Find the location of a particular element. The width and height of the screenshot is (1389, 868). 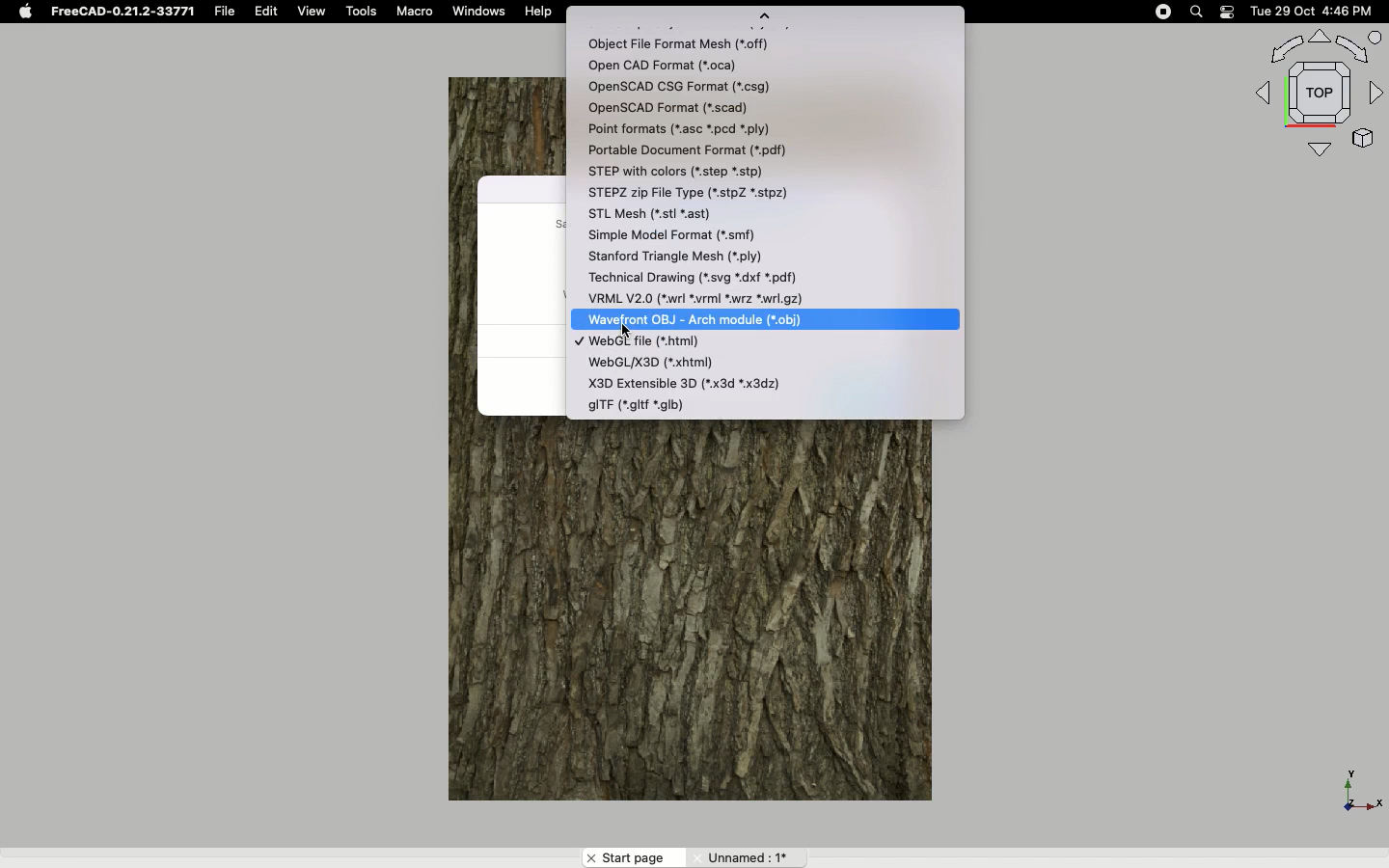

Simple model format(*.smf) is located at coordinates (694, 234).